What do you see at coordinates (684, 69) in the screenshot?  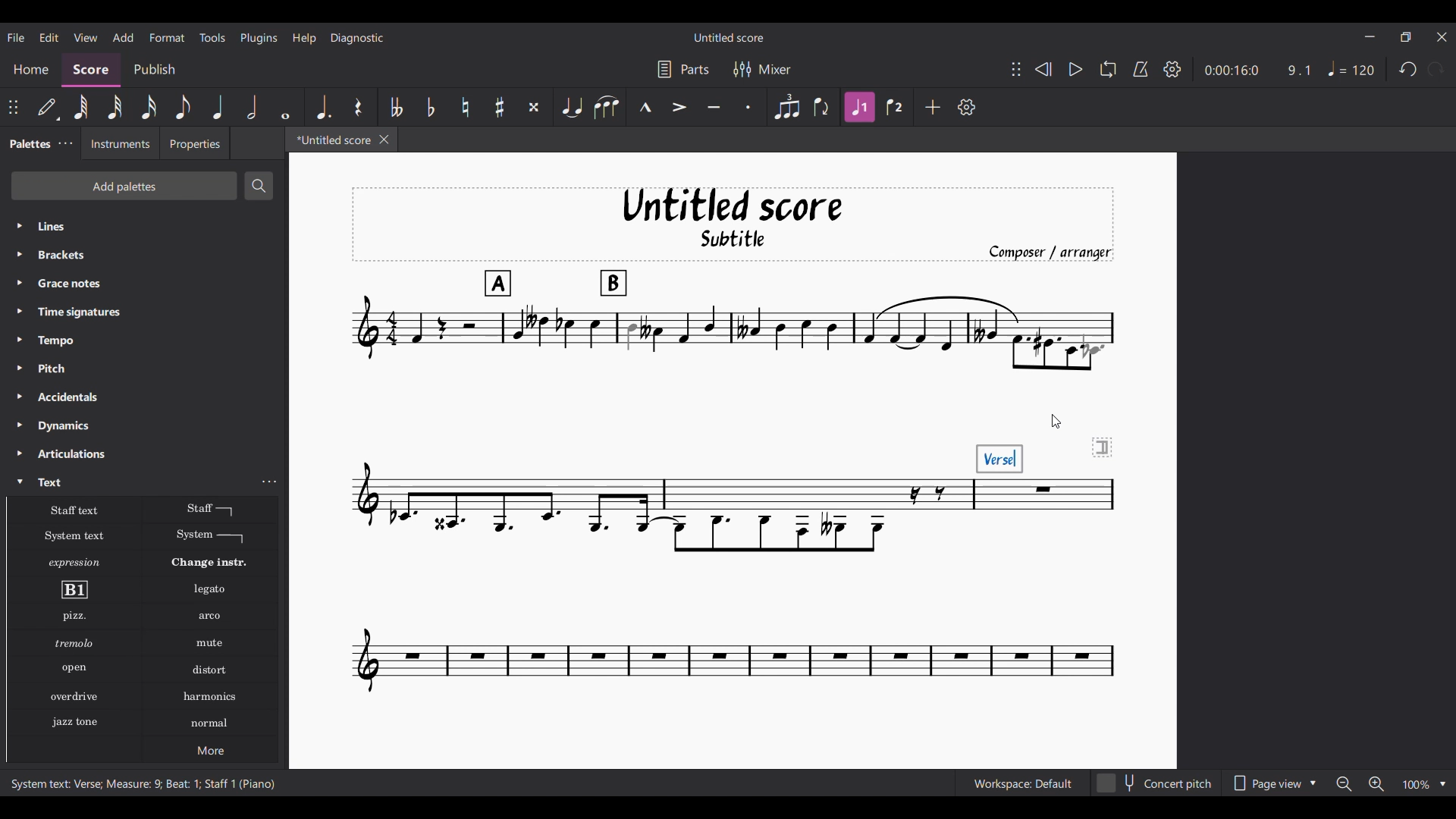 I see `Parts settings` at bounding box center [684, 69].